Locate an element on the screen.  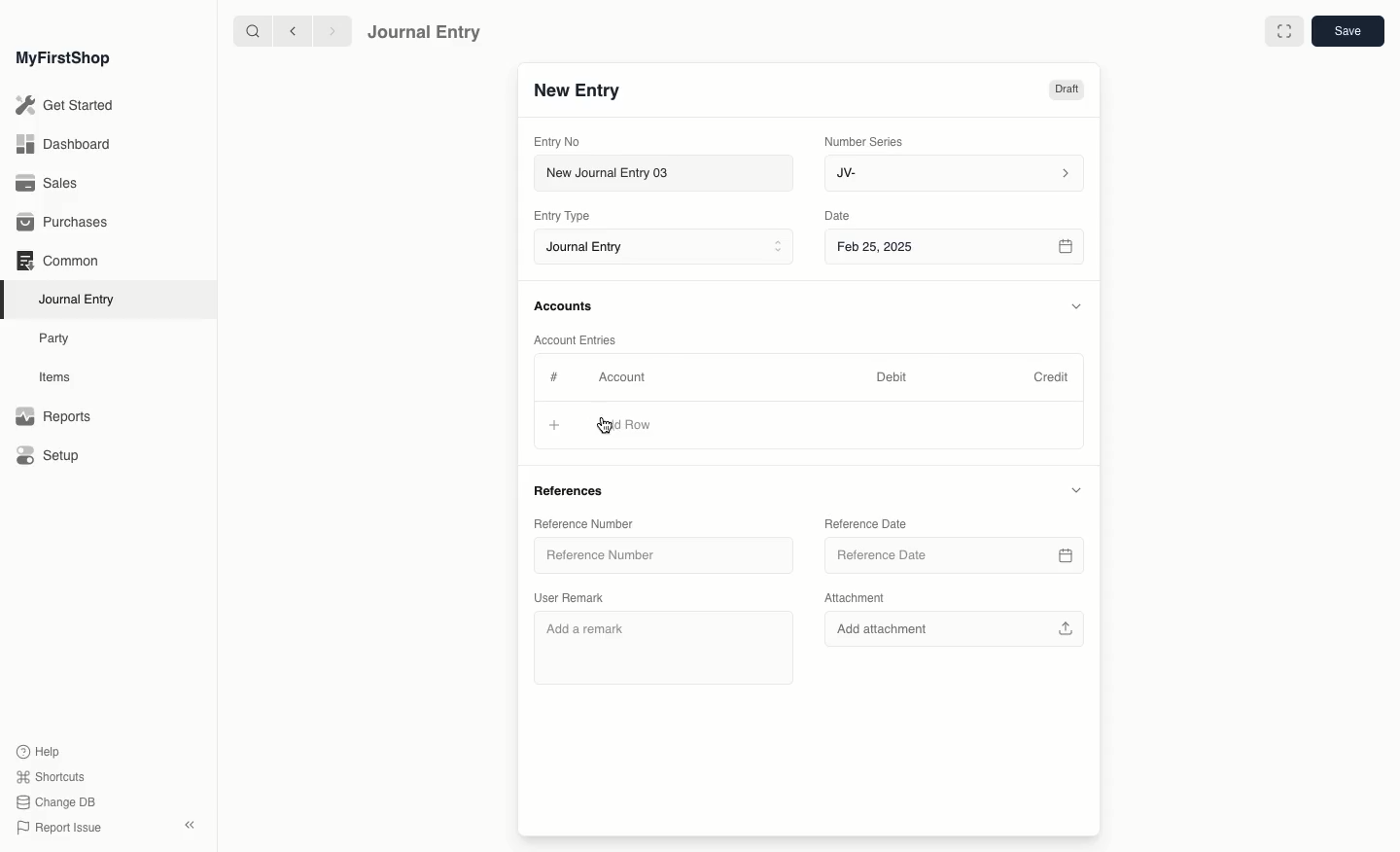
search is located at coordinates (248, 31).